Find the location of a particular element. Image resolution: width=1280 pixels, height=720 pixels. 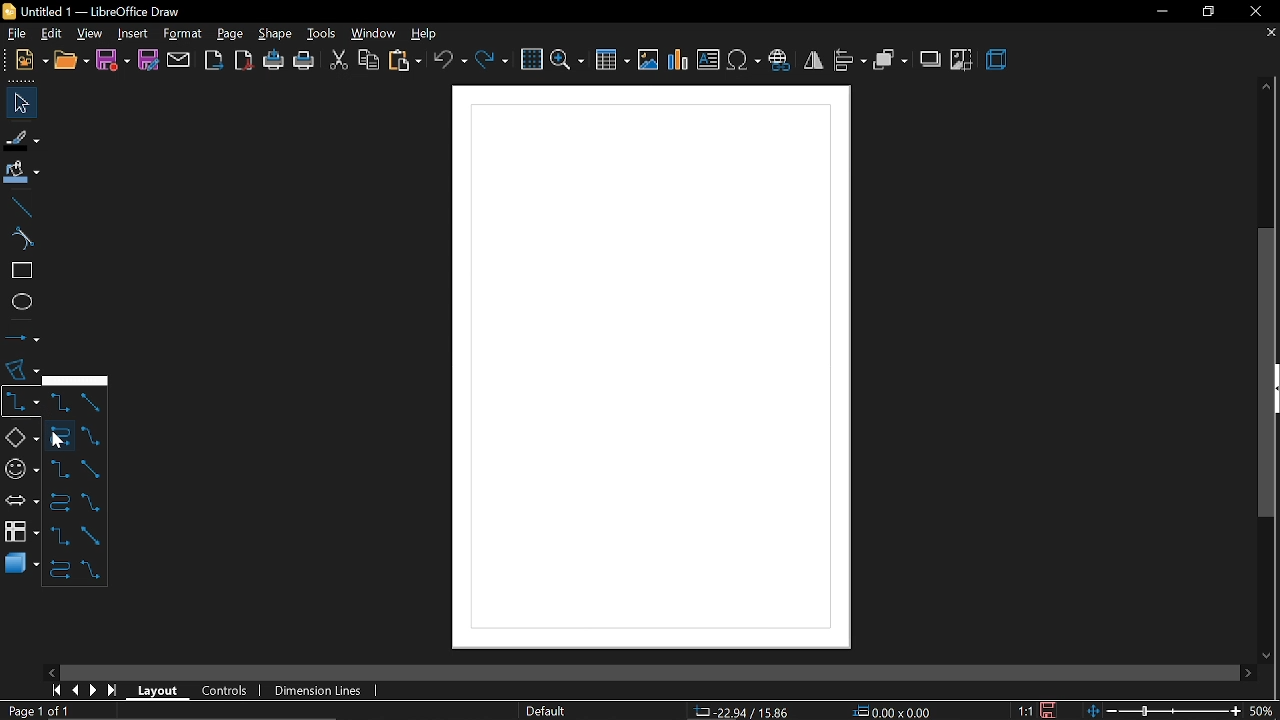

Insert is located at coordinates (131, 32).